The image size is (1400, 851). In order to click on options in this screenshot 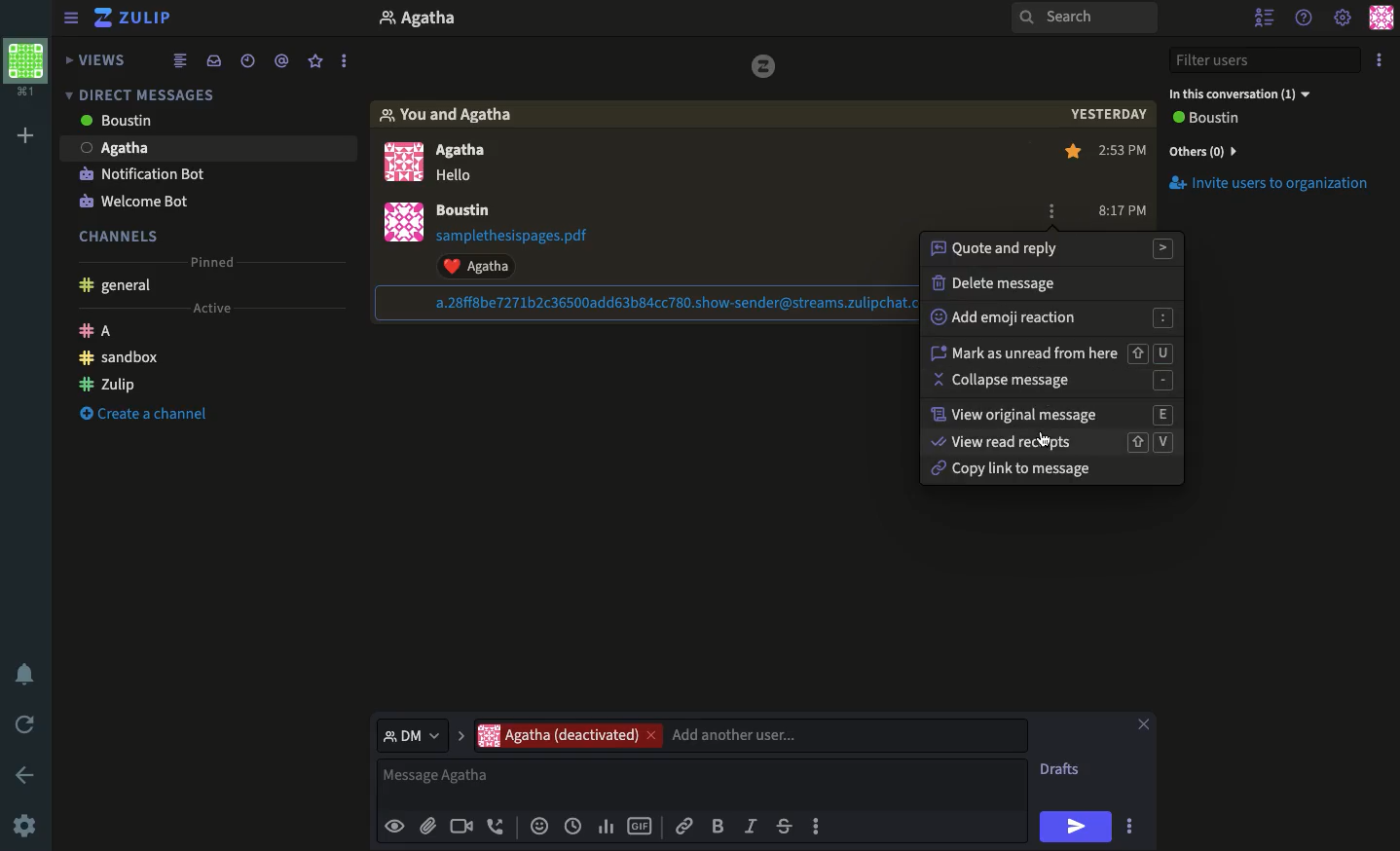, I will do `click(818, 832)`.